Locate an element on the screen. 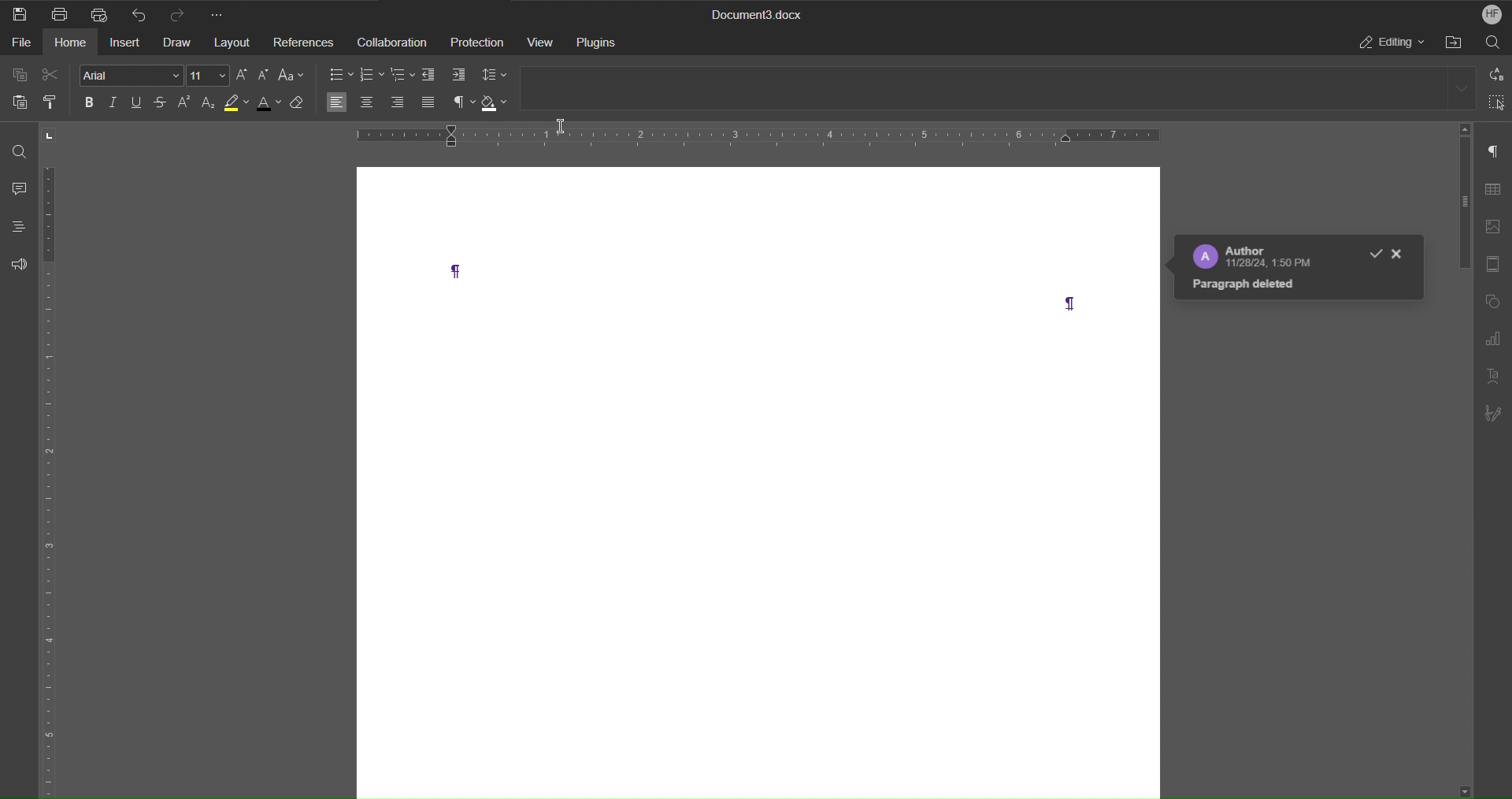 This screenshot has width=1512, height=799. Document3.docx is located at coordinates (759, 13).